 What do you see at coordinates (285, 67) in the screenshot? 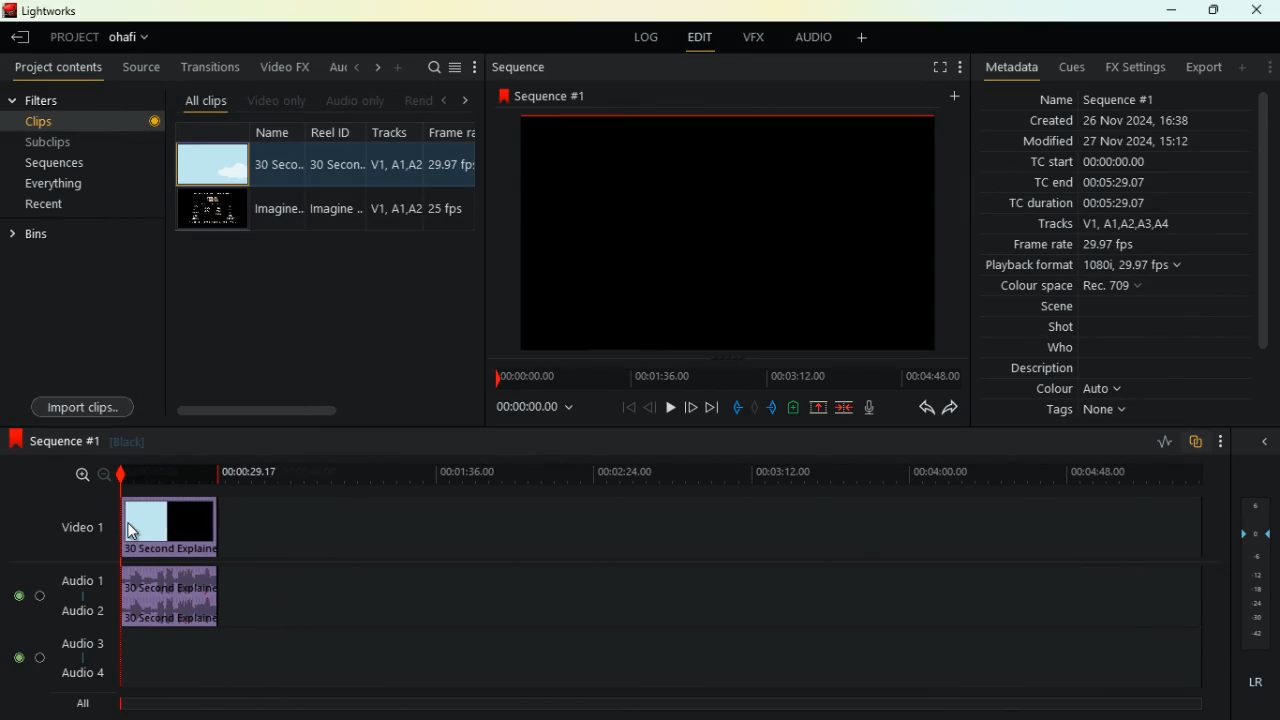
I see `video fx` at bounding box center [285, 67].